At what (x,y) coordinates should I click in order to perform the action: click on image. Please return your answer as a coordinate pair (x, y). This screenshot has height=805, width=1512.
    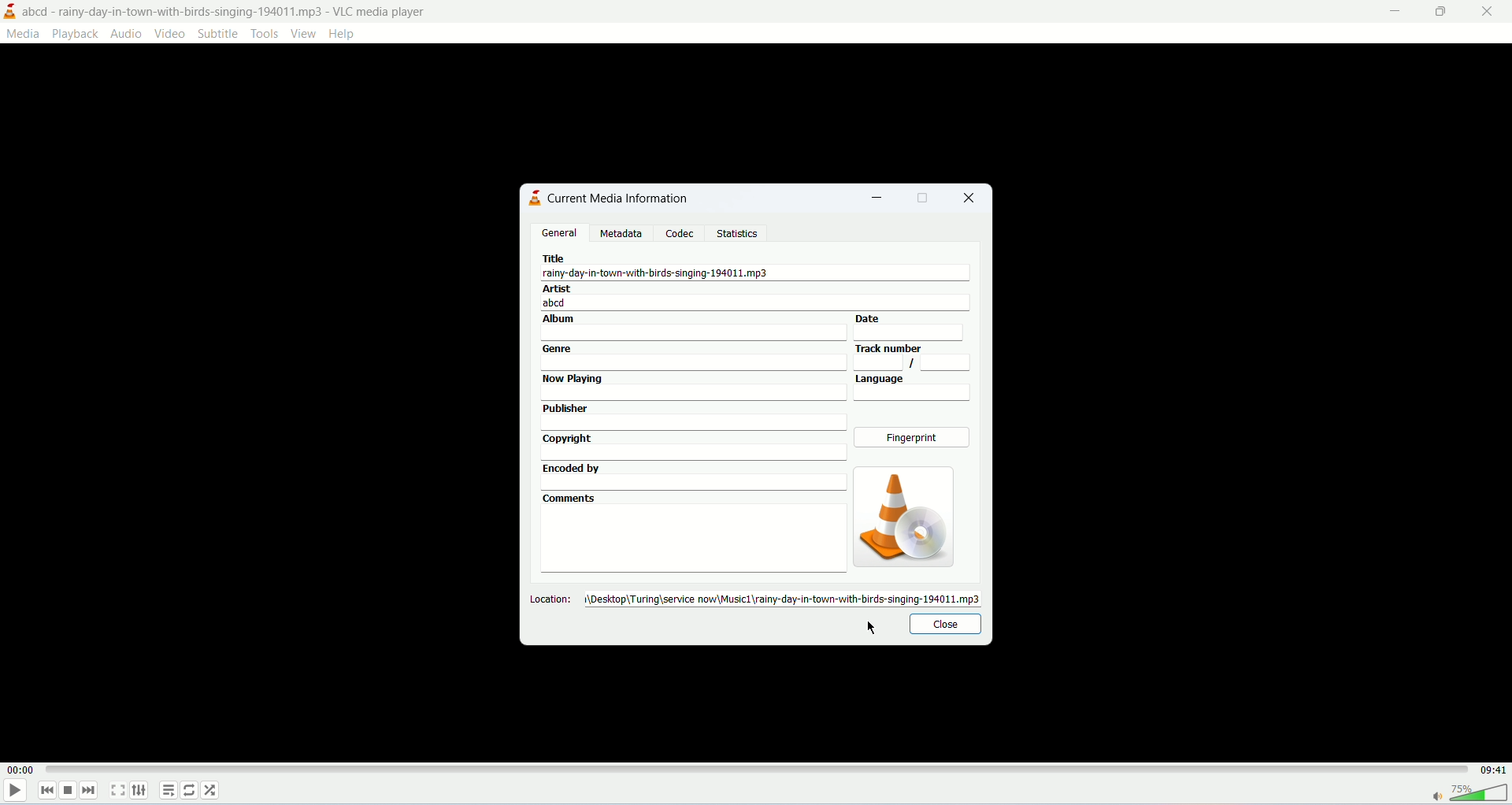
    Looking at the image, I should click on (901, 517).